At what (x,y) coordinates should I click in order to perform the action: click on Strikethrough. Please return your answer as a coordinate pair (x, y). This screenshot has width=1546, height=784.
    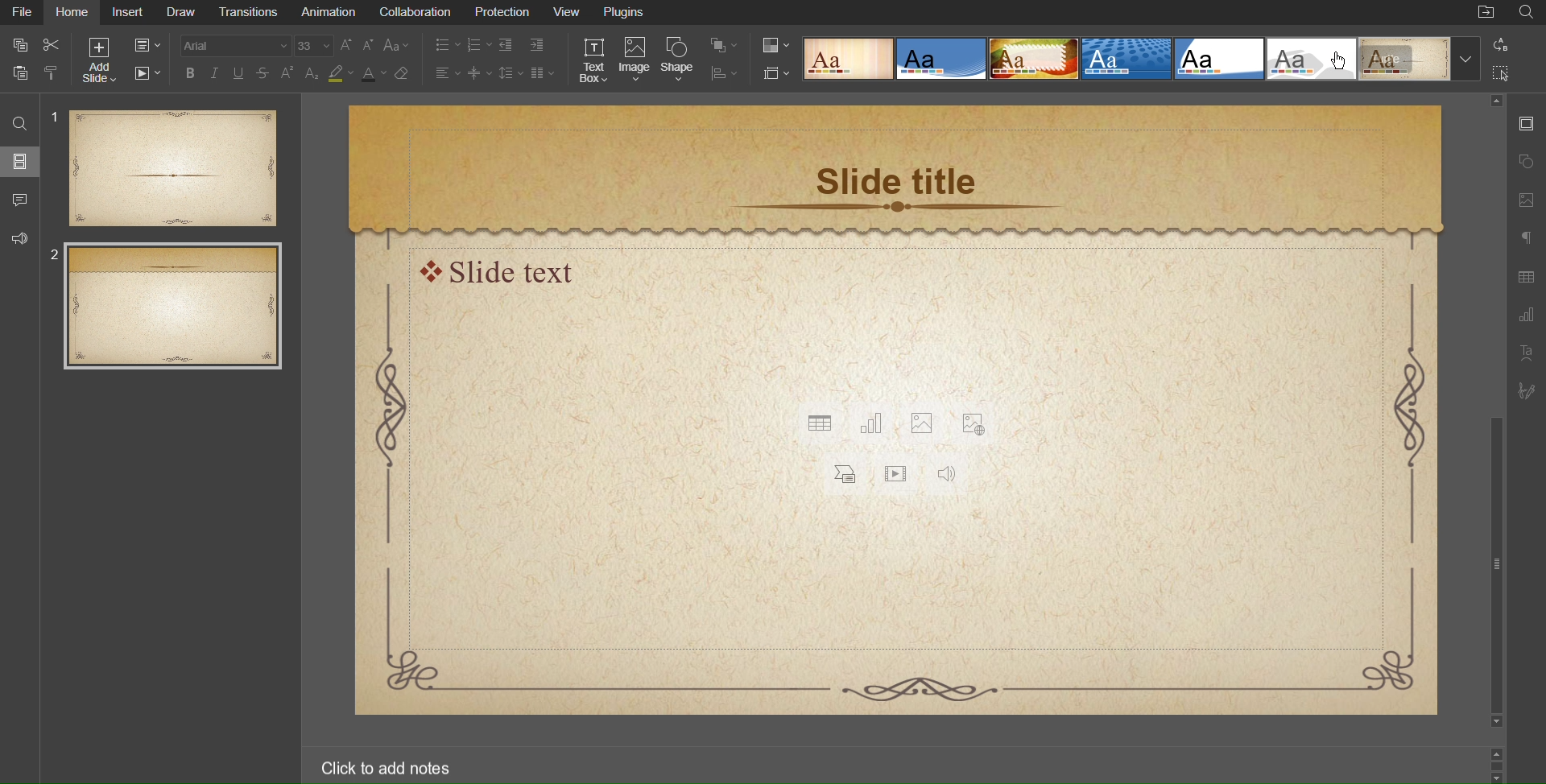
    Looking at the image, I should click on (264, 74).